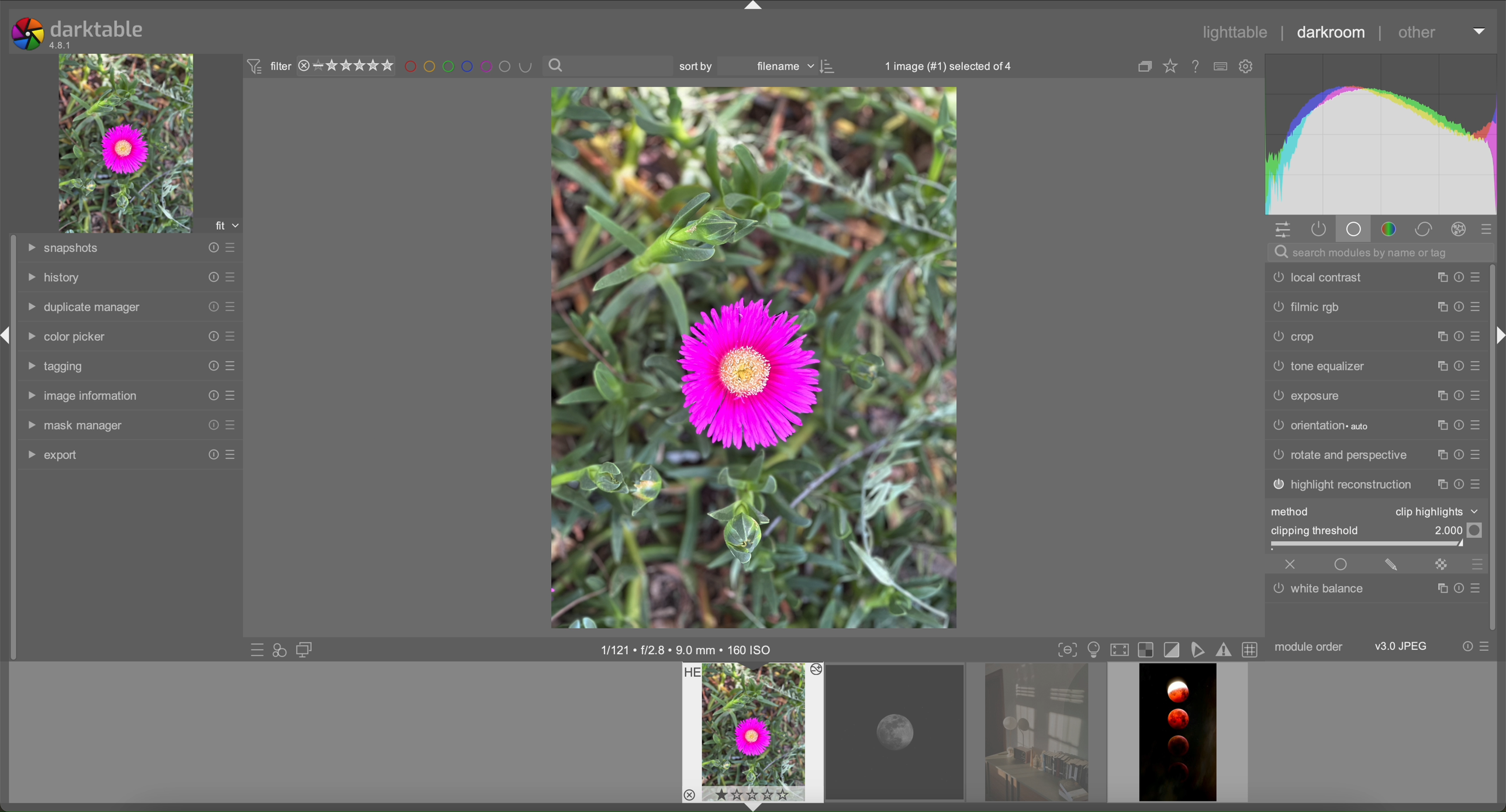 This screenshot has width=1506, height=812. I want to click on version, so click(61, 45).